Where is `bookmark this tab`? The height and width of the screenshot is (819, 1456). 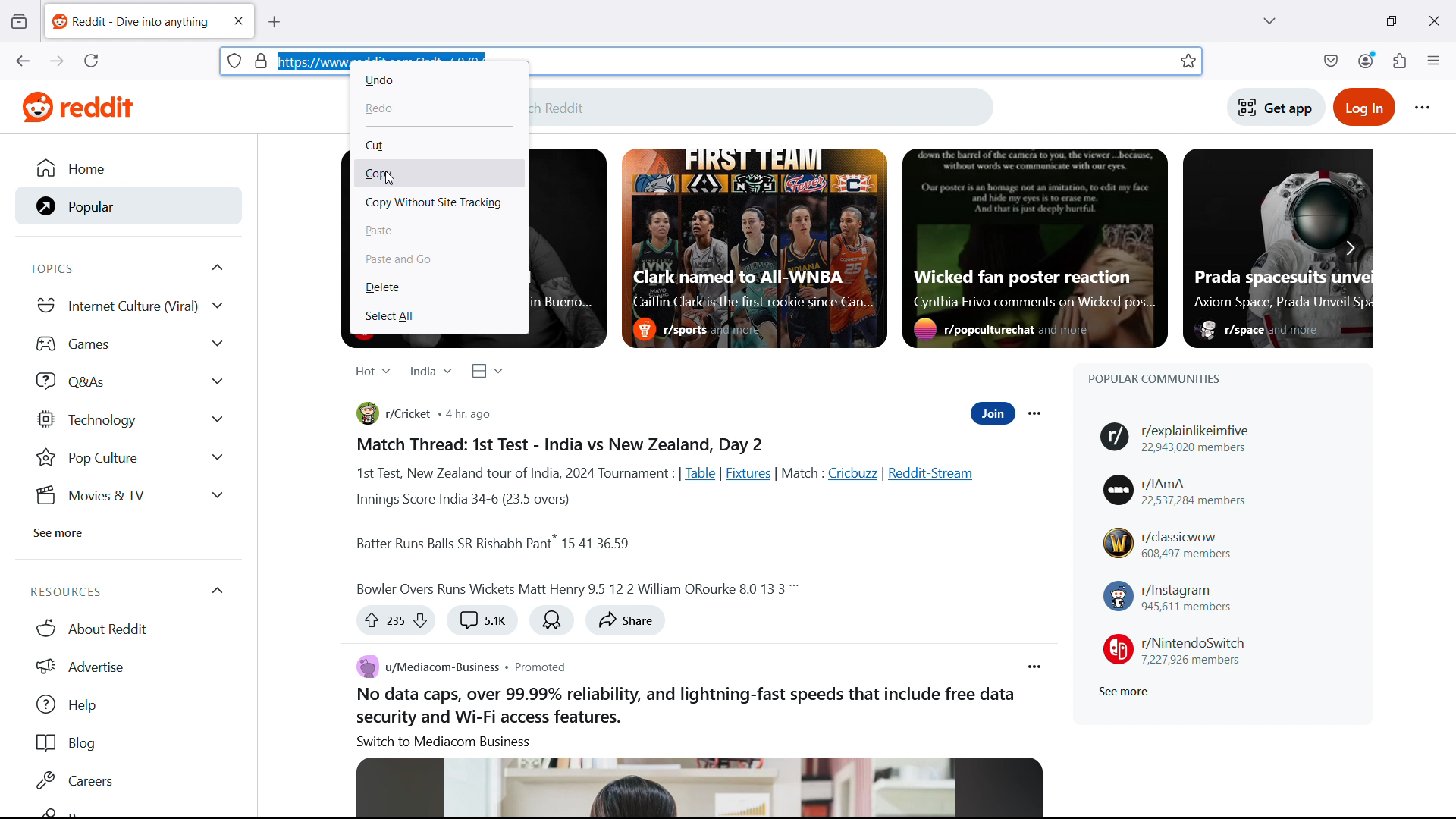
bookmark this tab is located at coordinates (1188, 61).